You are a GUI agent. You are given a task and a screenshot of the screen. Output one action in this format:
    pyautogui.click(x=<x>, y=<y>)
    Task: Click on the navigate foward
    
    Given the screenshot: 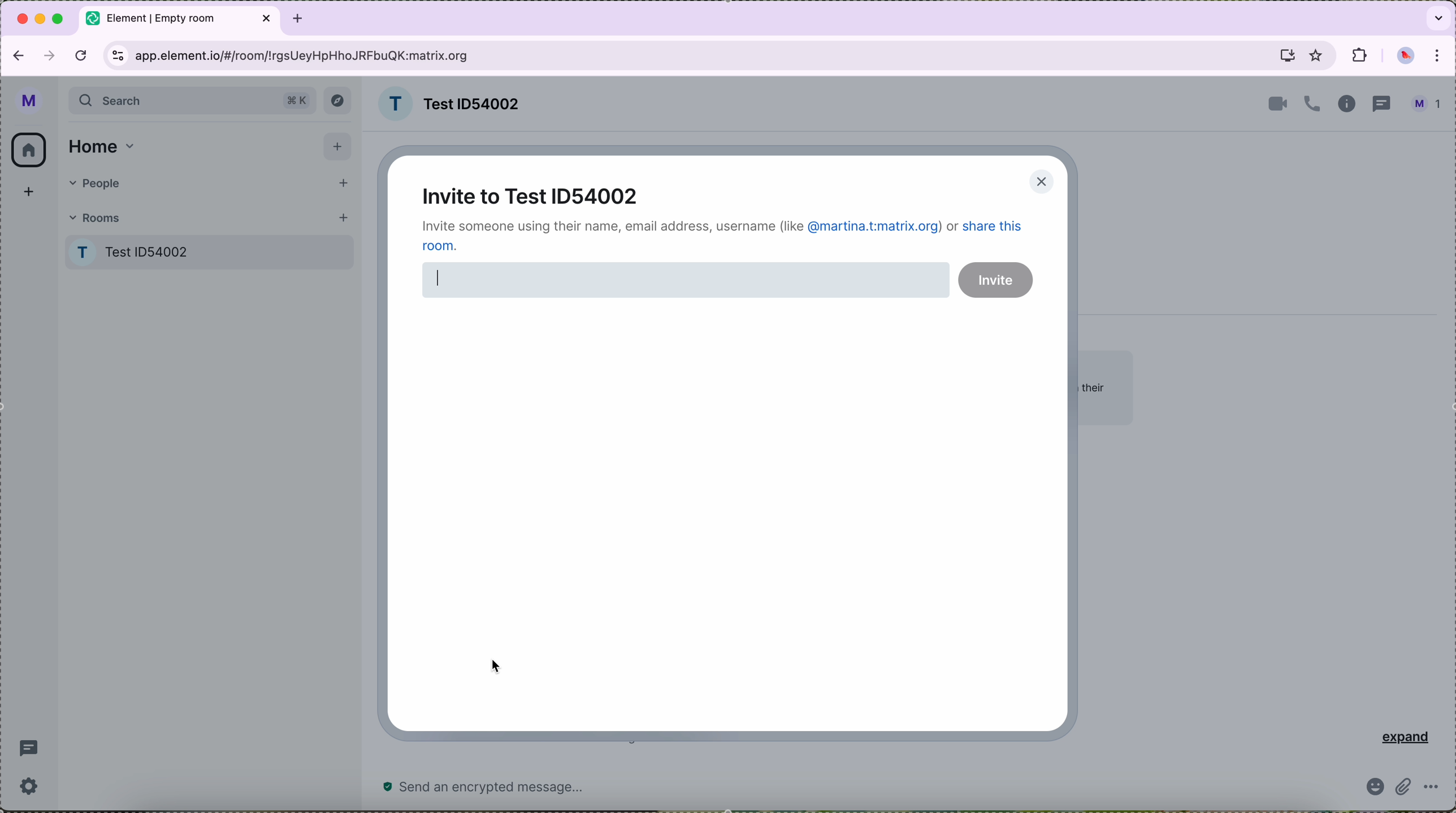 What is the action you would take?
    pyautogui.click(x=48, y=56)
    